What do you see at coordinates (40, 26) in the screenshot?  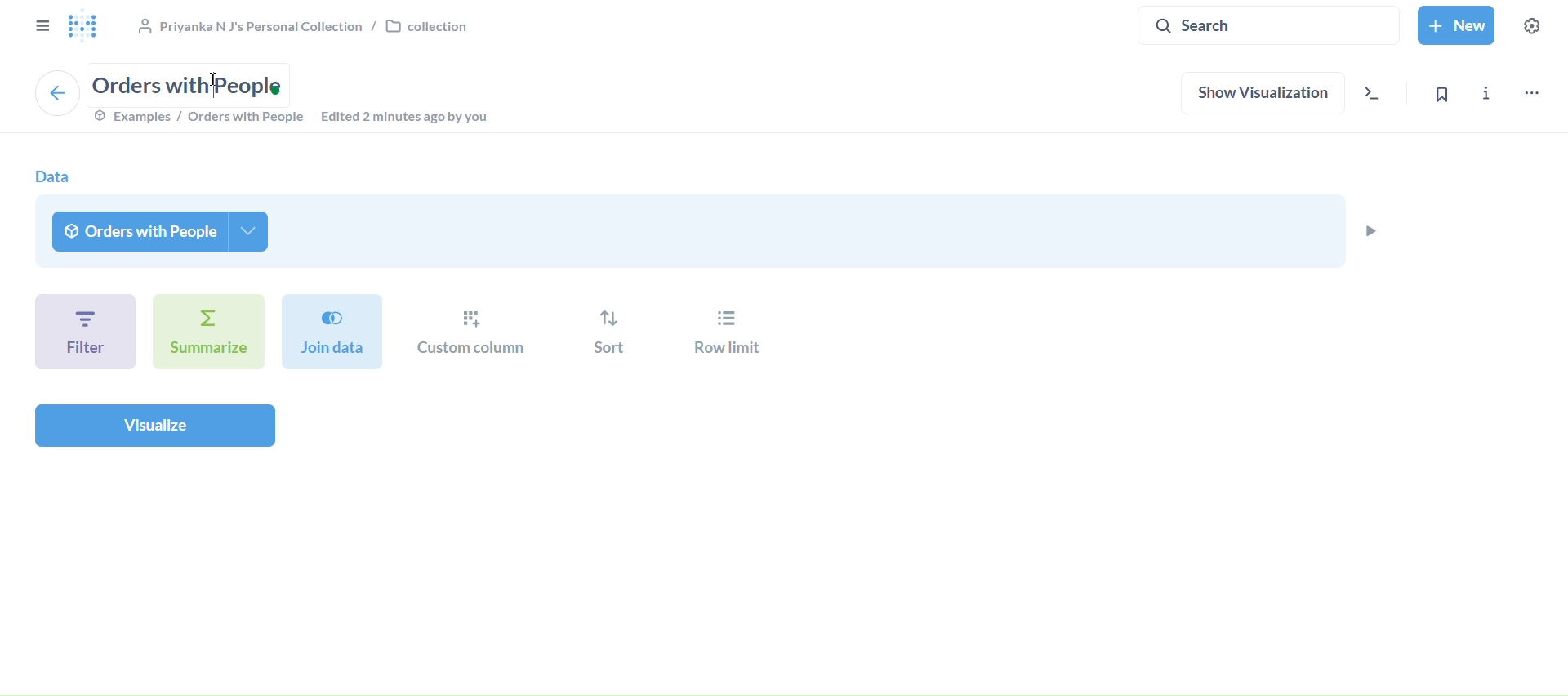 I see `close sidebar` at bounding box center [40, 26].